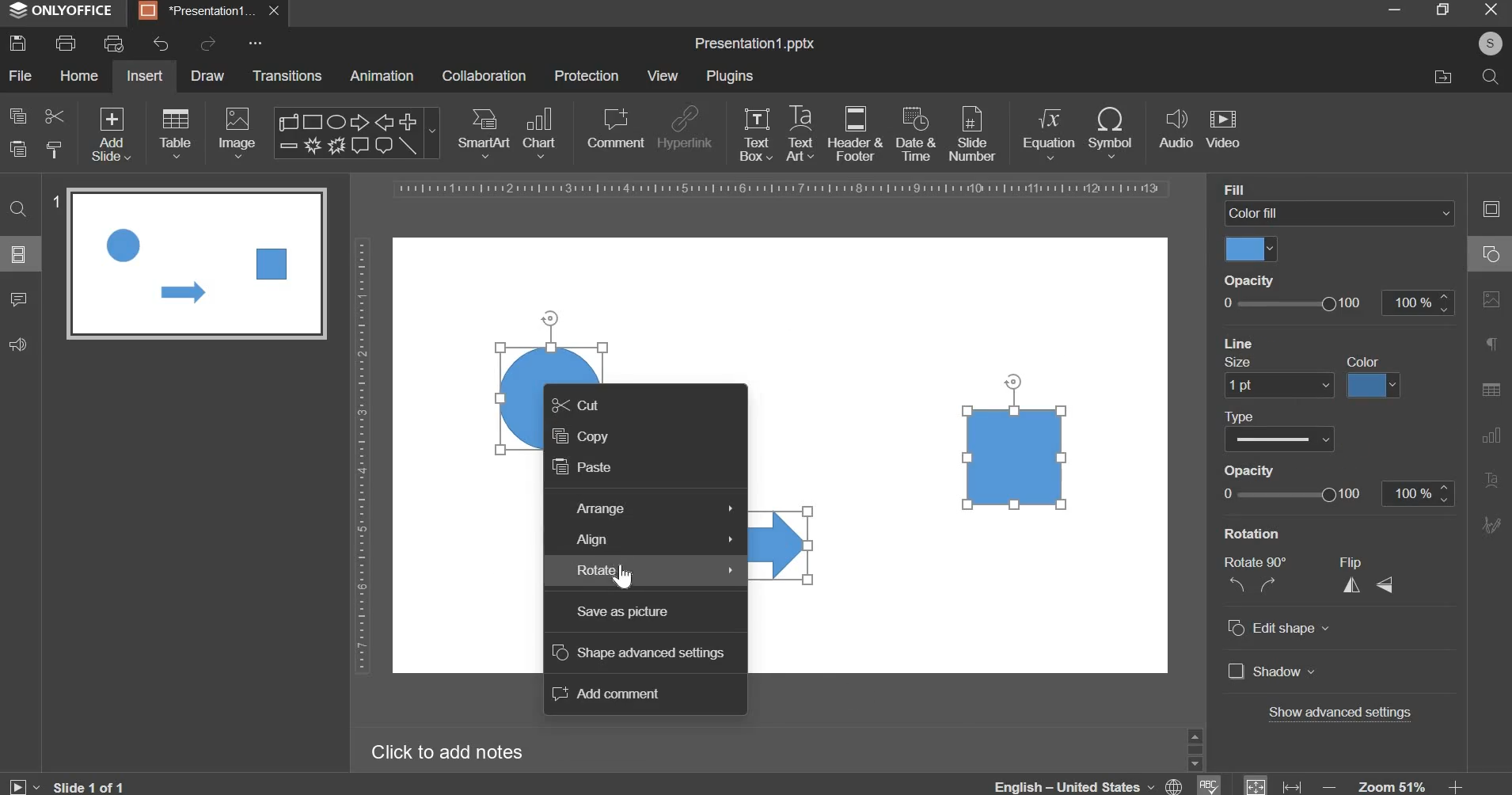 The height and width of the screenshot is (795, 1512). I want to click on show background graphics, so click(1320, 341).